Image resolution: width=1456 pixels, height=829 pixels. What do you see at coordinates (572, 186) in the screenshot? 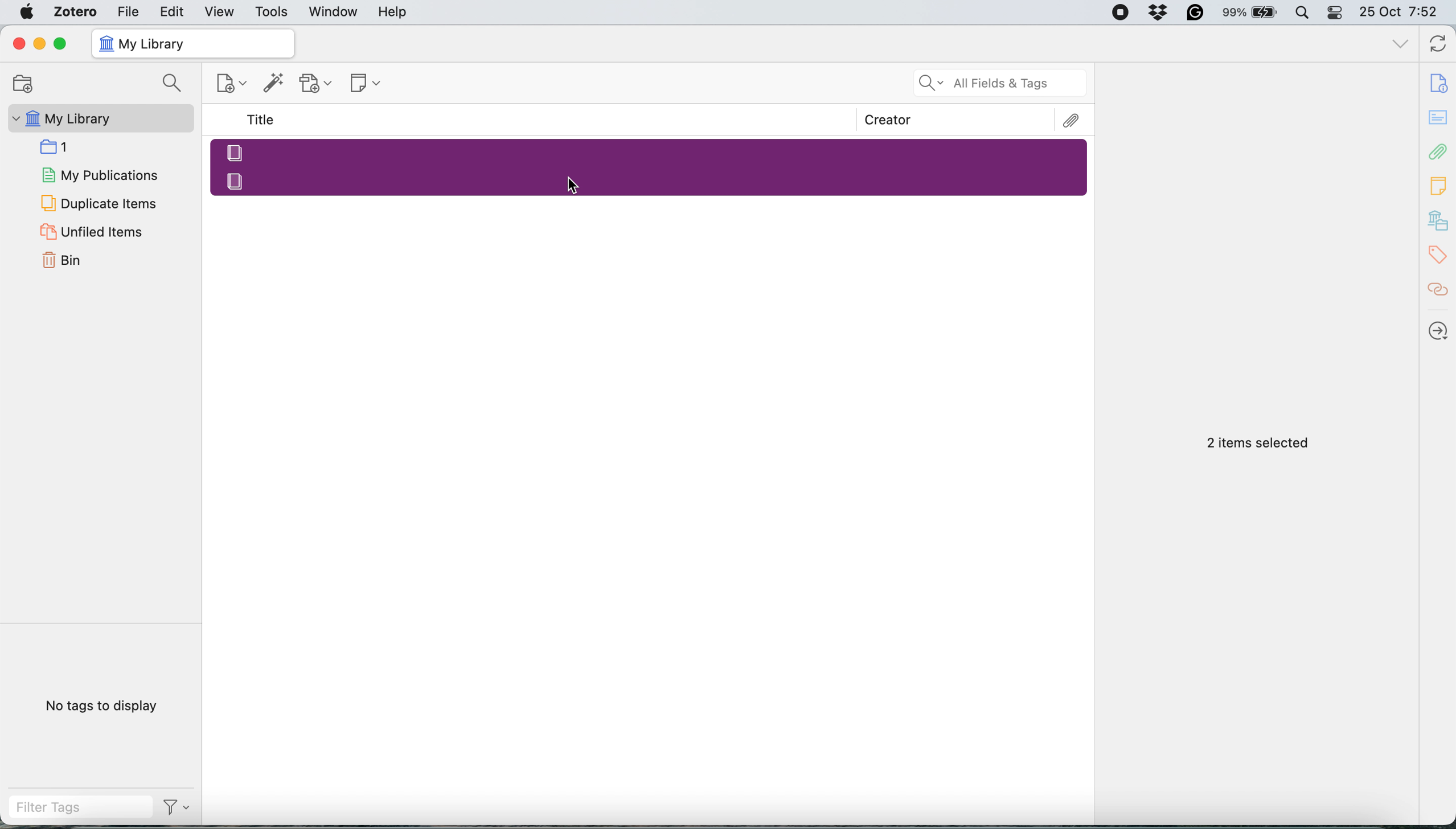
I see `Cursor Position` at bounding box center [572, 186].